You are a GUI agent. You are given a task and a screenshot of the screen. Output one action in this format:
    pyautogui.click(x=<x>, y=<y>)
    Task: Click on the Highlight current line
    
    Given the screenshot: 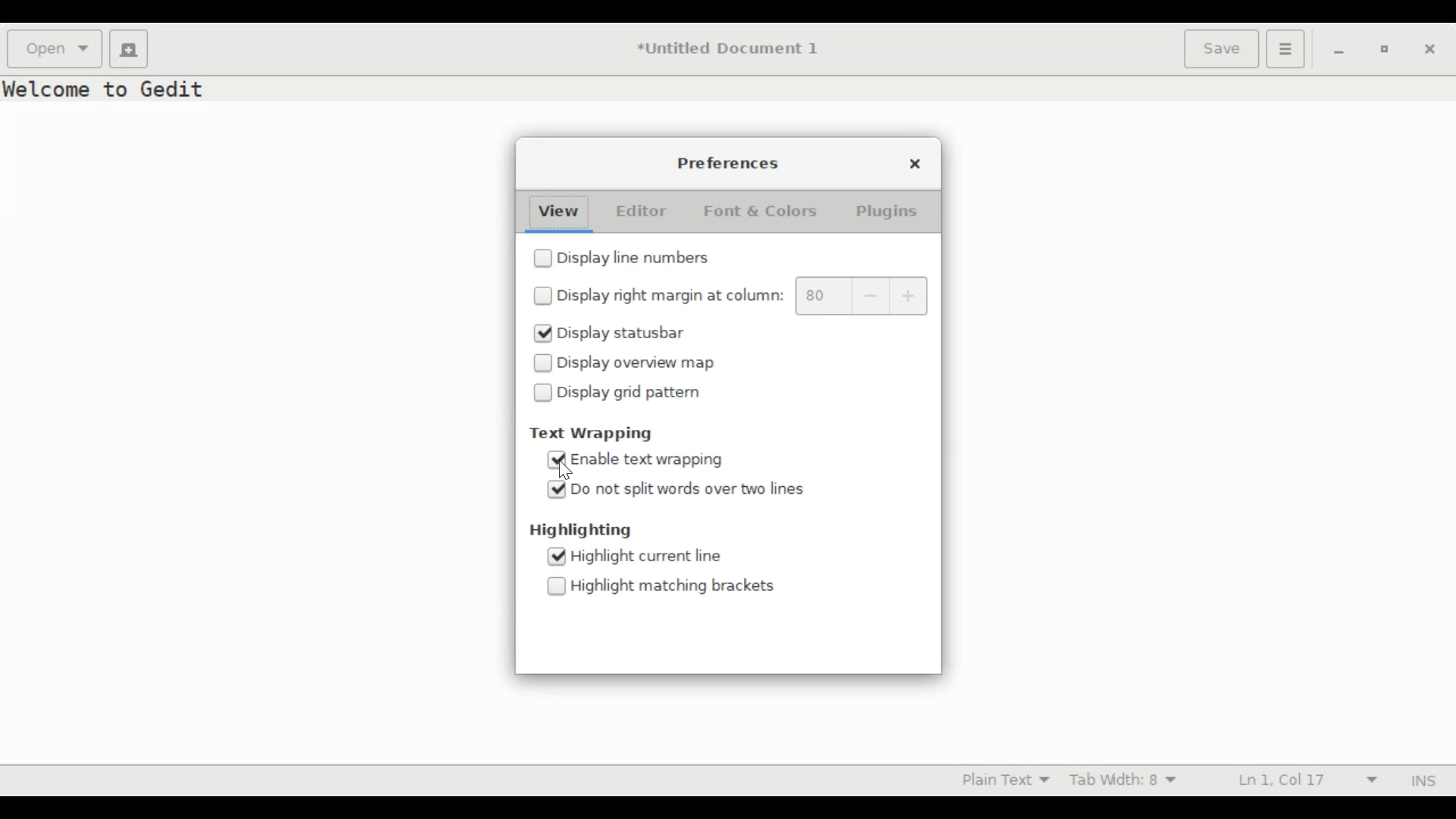 What is the action you would take?
    pyautogui.click(x=645, y=557)
    